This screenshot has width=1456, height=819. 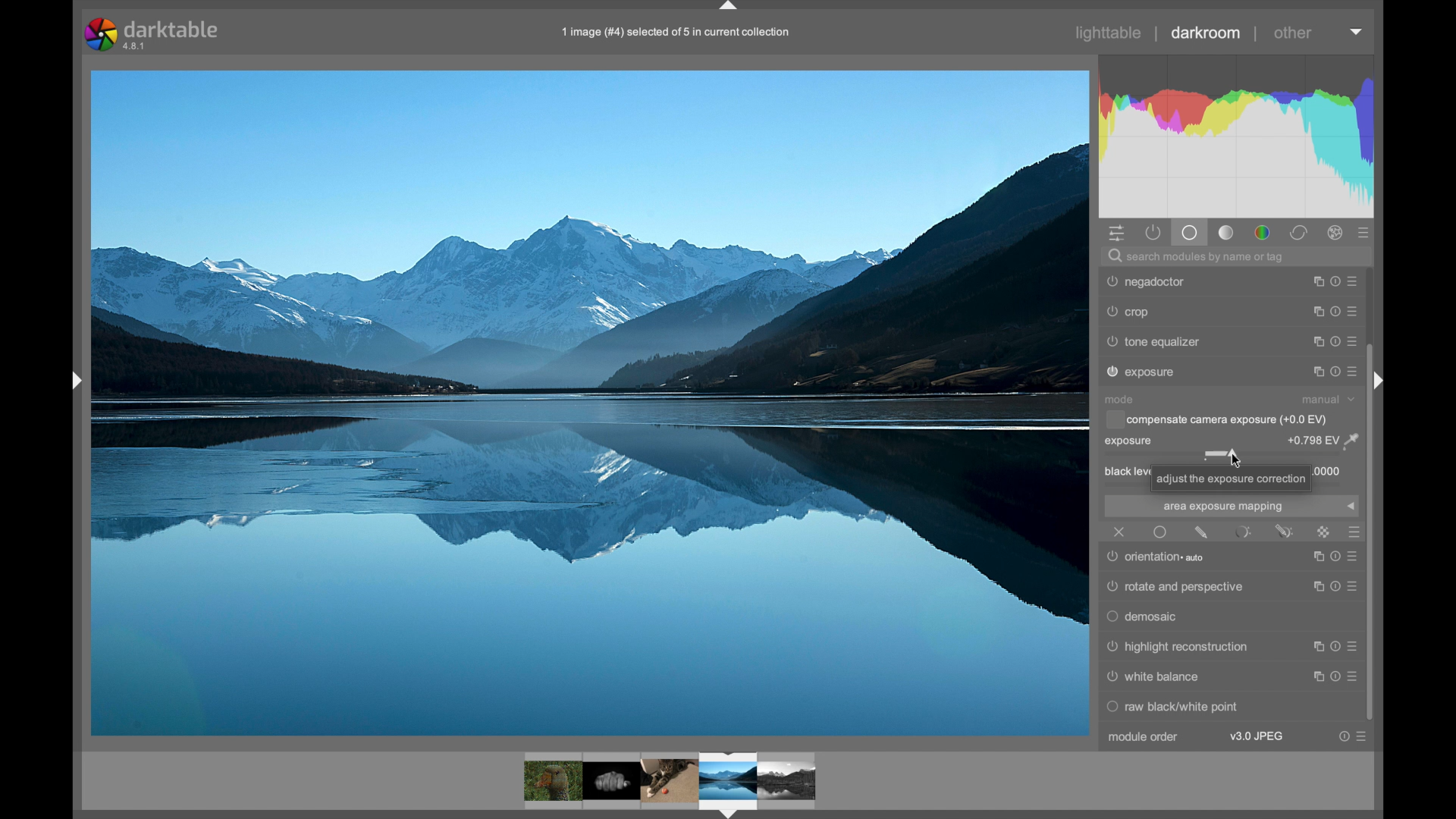 I want to click on menu, so click(x=1330, y=651).